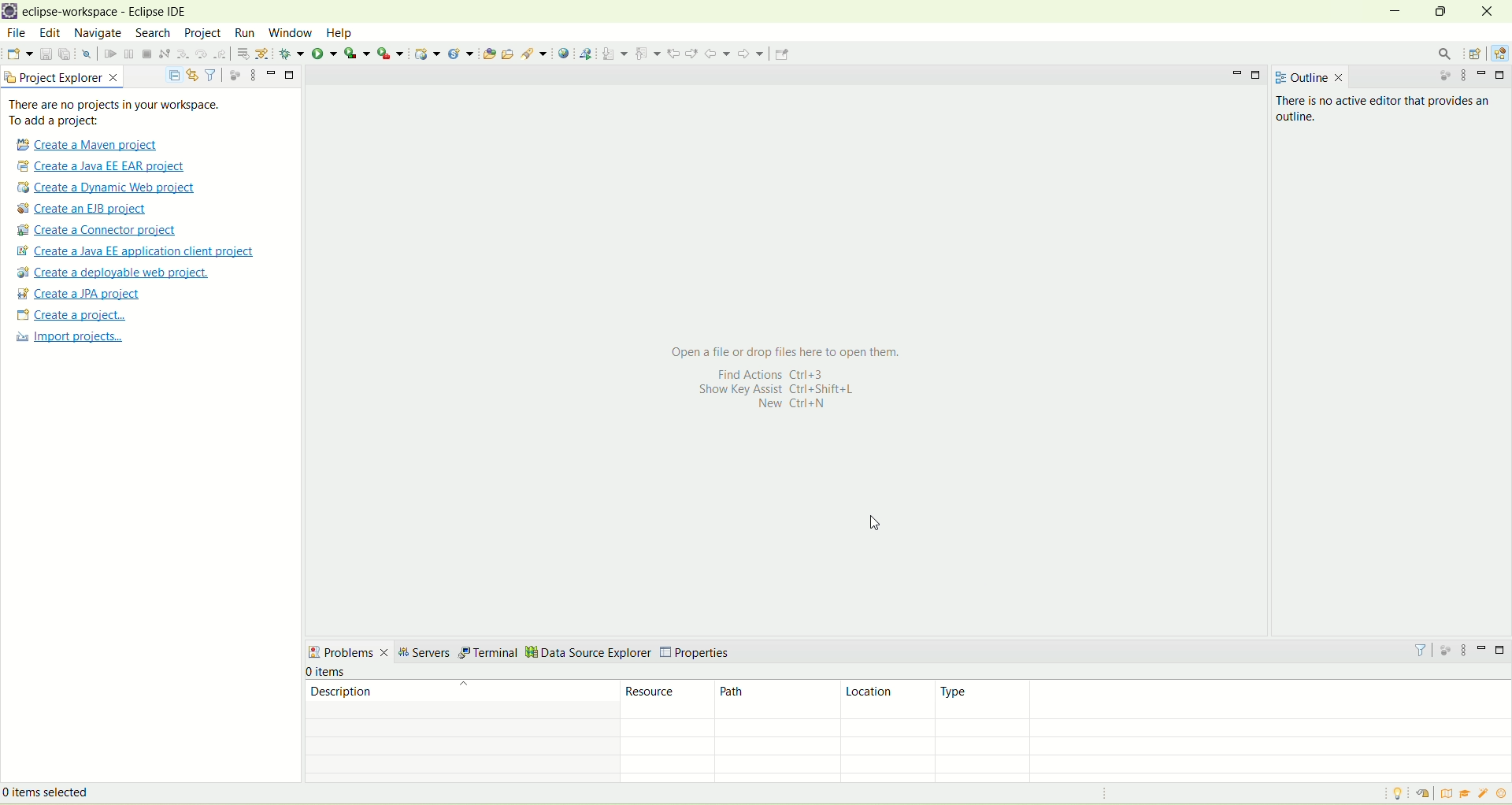 Image resolution: width=1512 pixels, height=805 pixels. What do you see at coordinates (126, 54) in the screenshot?
I see `open a terminal` at bounding box center [126, 54].